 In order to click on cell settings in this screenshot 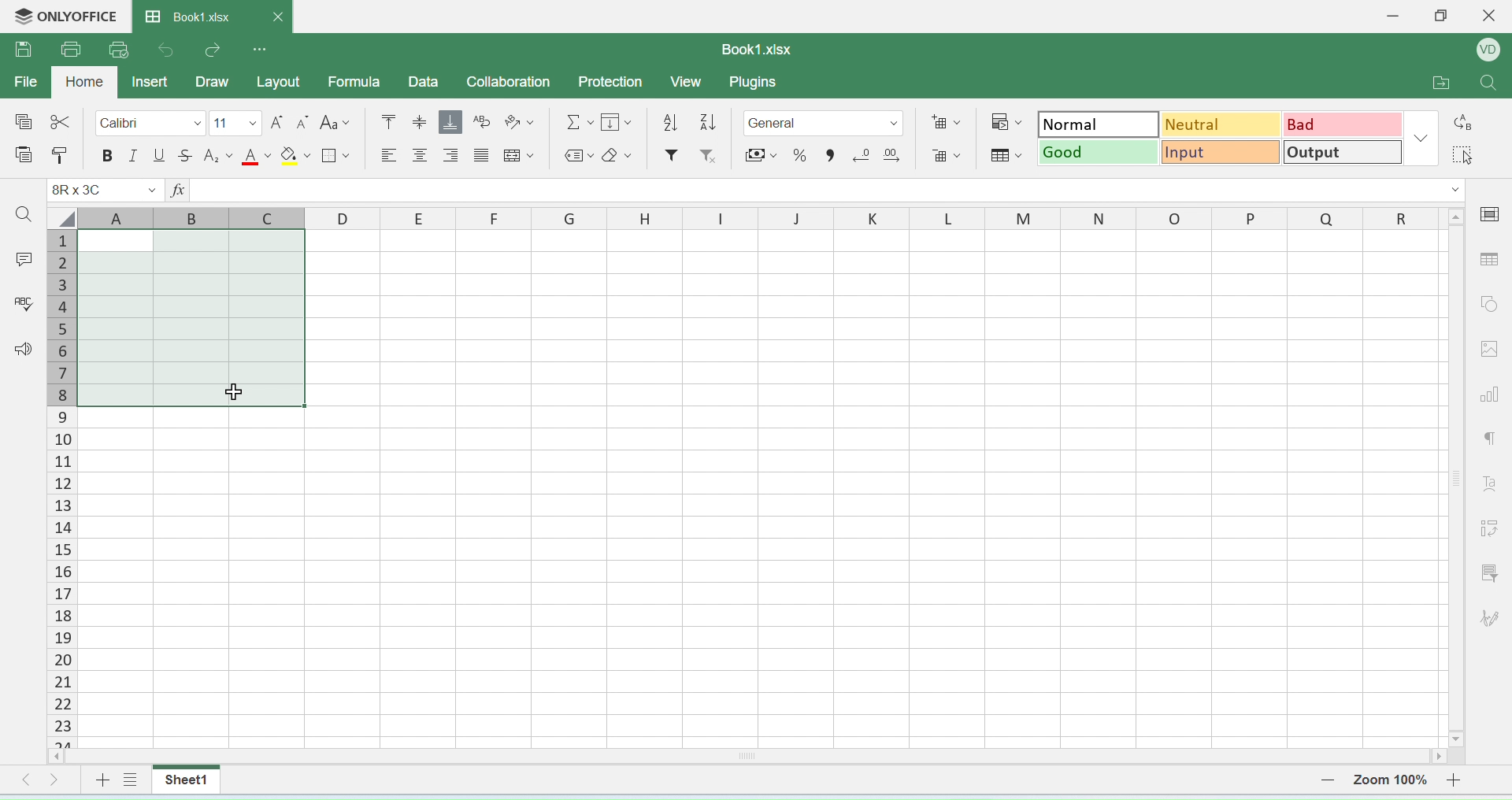, I will do `click(1493, 217)`.